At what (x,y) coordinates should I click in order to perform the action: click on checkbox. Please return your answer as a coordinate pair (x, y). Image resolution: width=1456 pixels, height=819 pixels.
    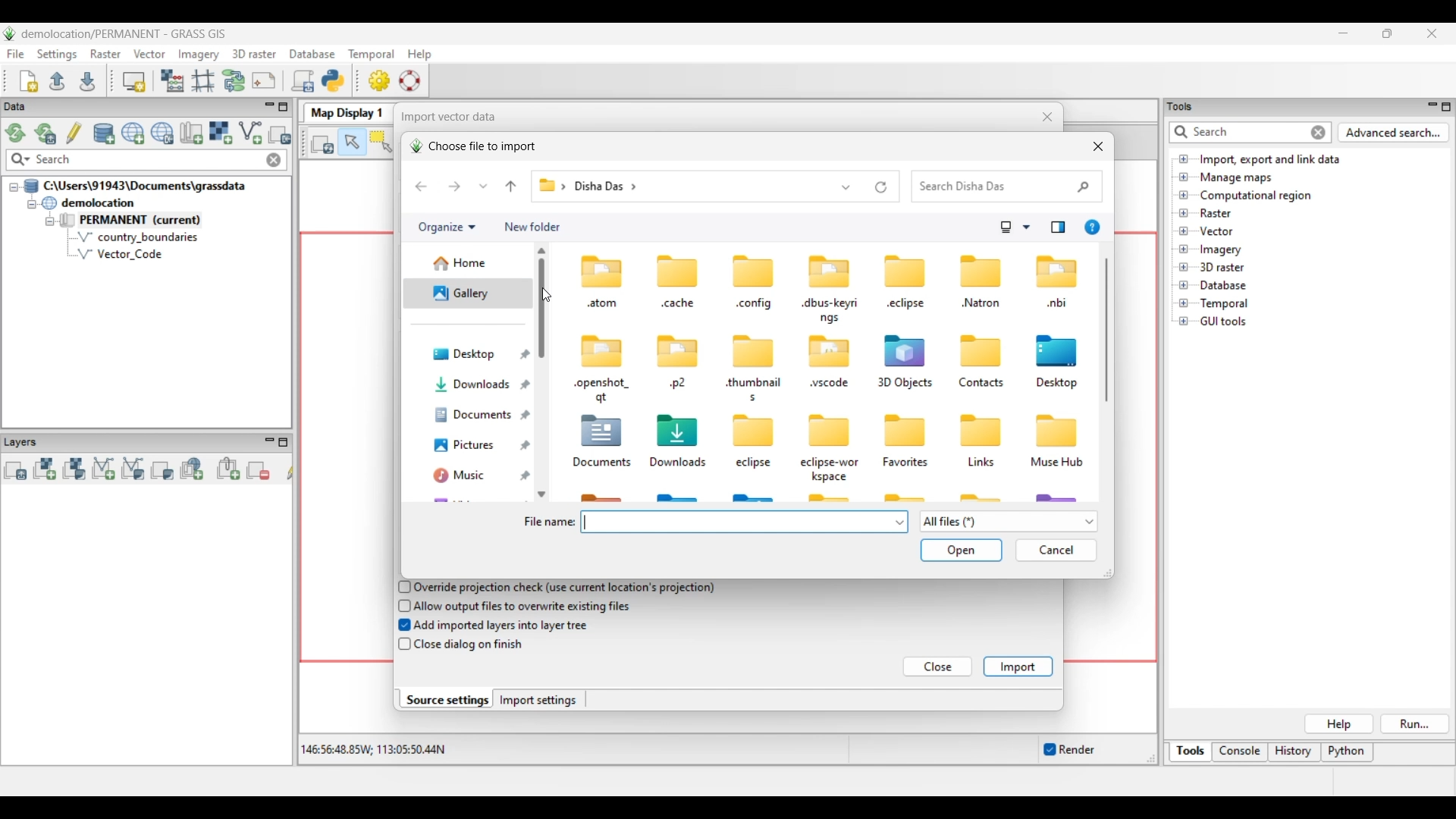
    Looking at the image, I should click on (401, 586).